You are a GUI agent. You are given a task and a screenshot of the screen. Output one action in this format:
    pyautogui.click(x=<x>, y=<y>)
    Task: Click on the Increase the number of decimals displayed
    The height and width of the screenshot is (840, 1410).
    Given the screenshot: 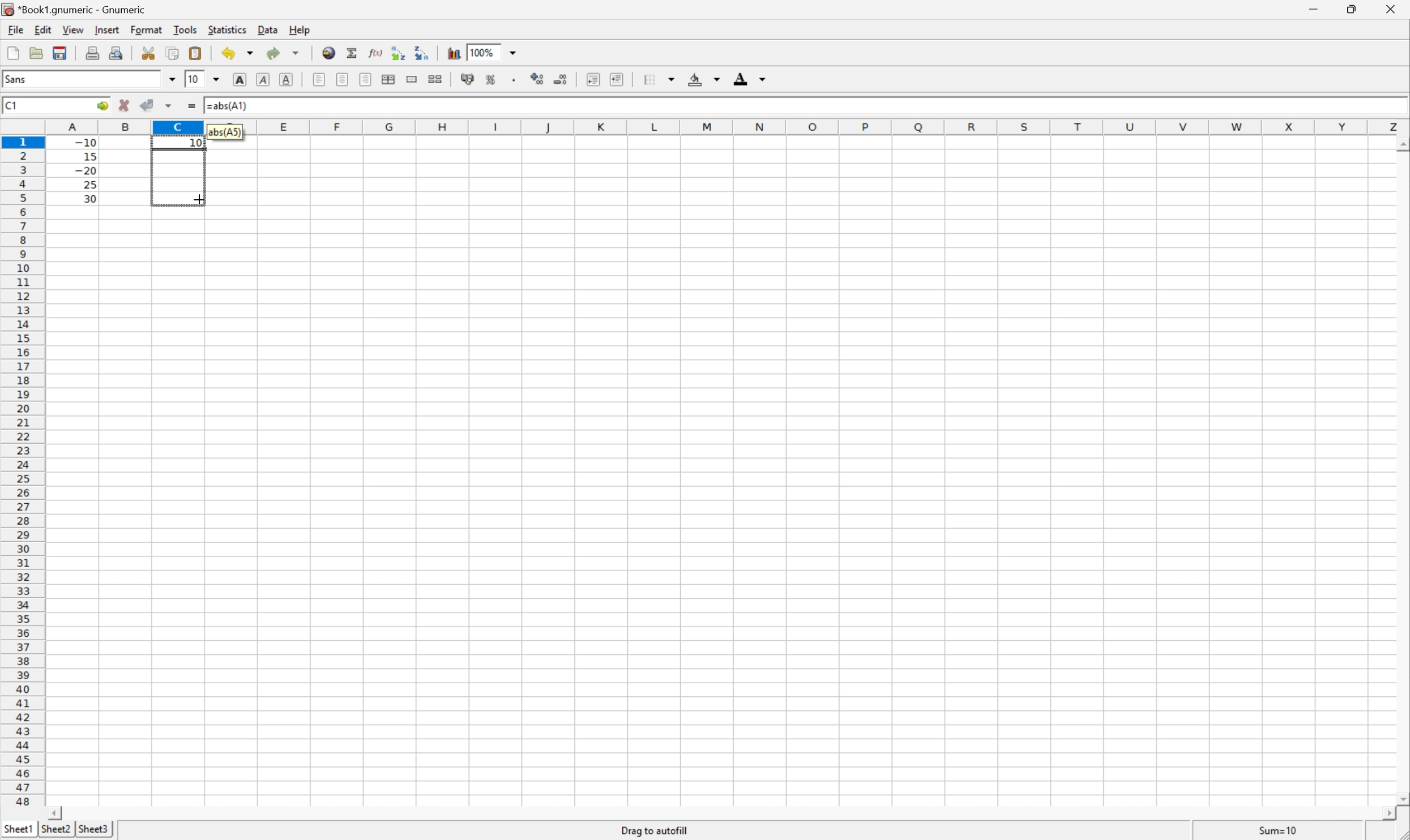 What is the action you would take?
    pyautogui.click(x=540, y=80)
    